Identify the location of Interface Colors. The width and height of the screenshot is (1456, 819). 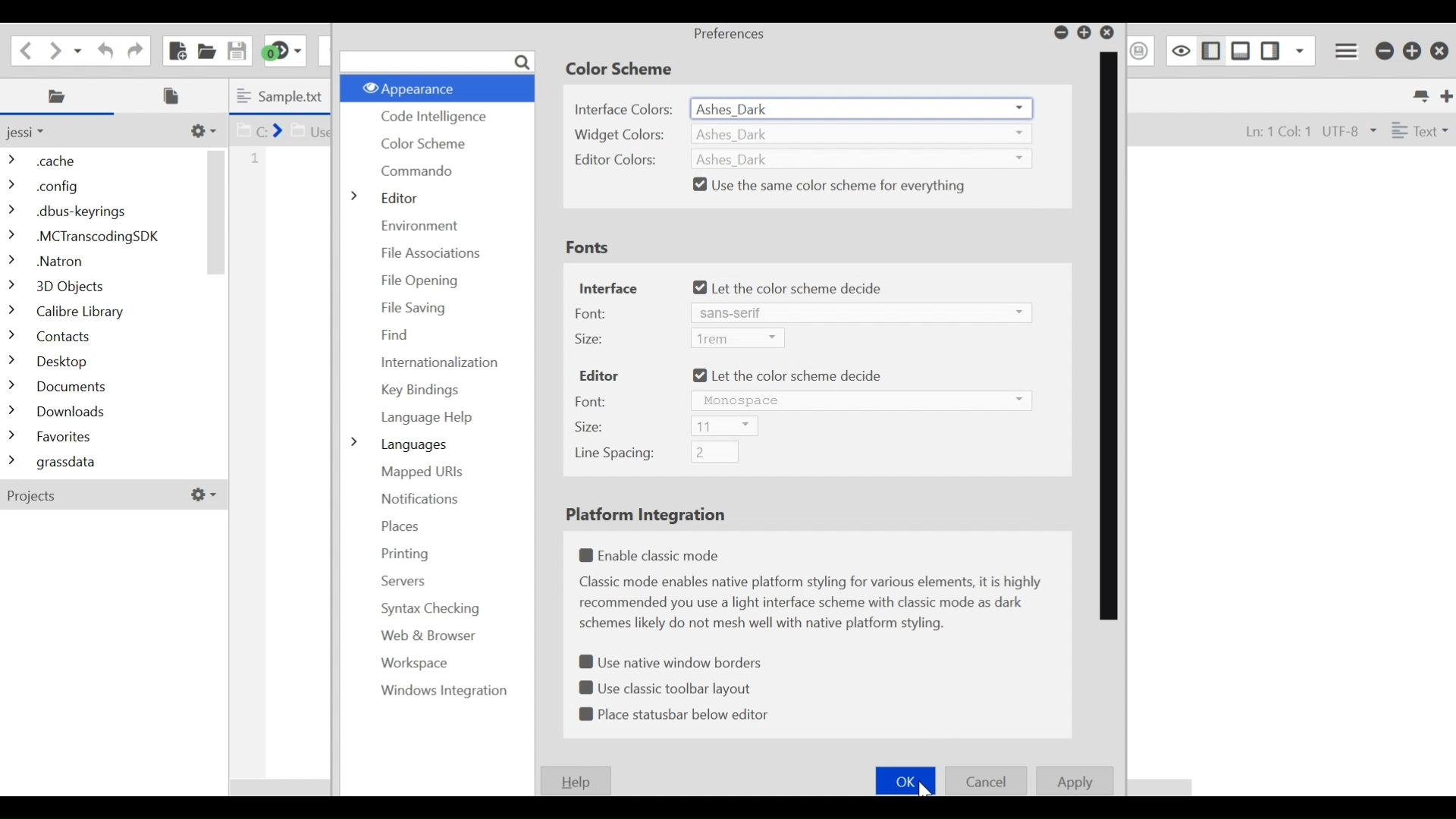
(625, 108).